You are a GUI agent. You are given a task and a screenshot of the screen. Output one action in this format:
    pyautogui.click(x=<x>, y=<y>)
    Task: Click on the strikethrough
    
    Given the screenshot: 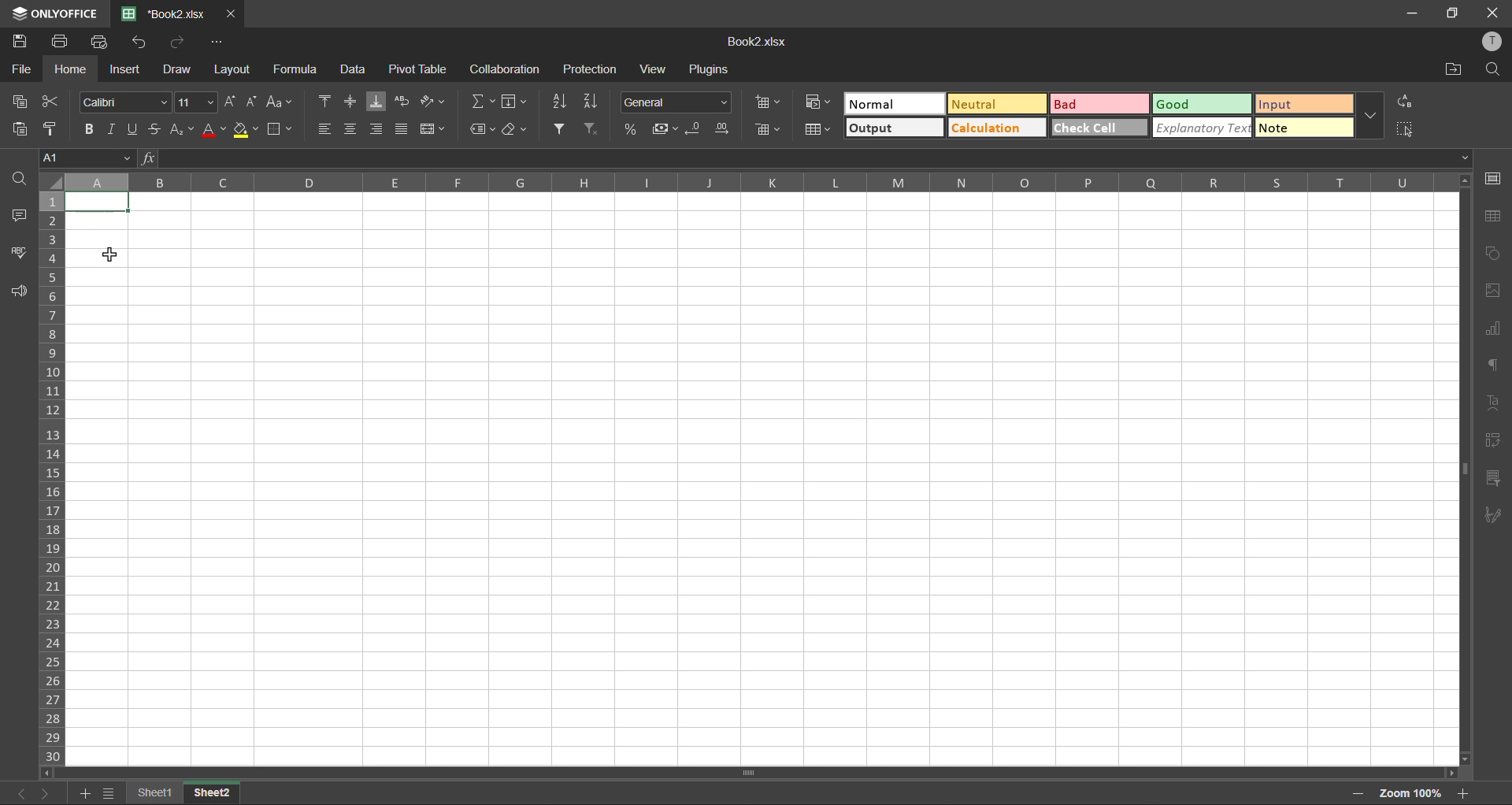 What is the action you would take?
    pyautogui.click(x=154, y=128)
    